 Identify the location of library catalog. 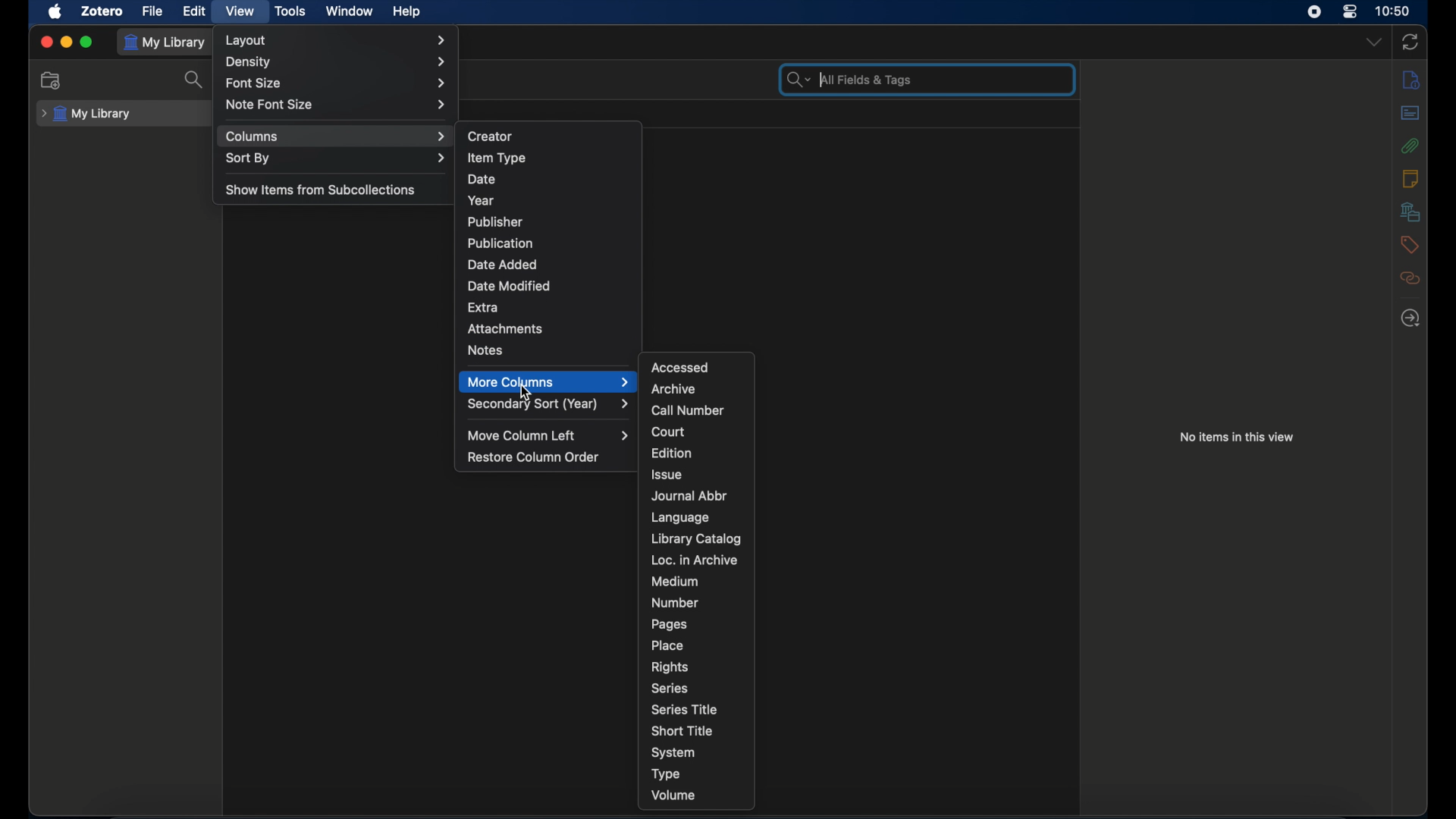
(696, 539).